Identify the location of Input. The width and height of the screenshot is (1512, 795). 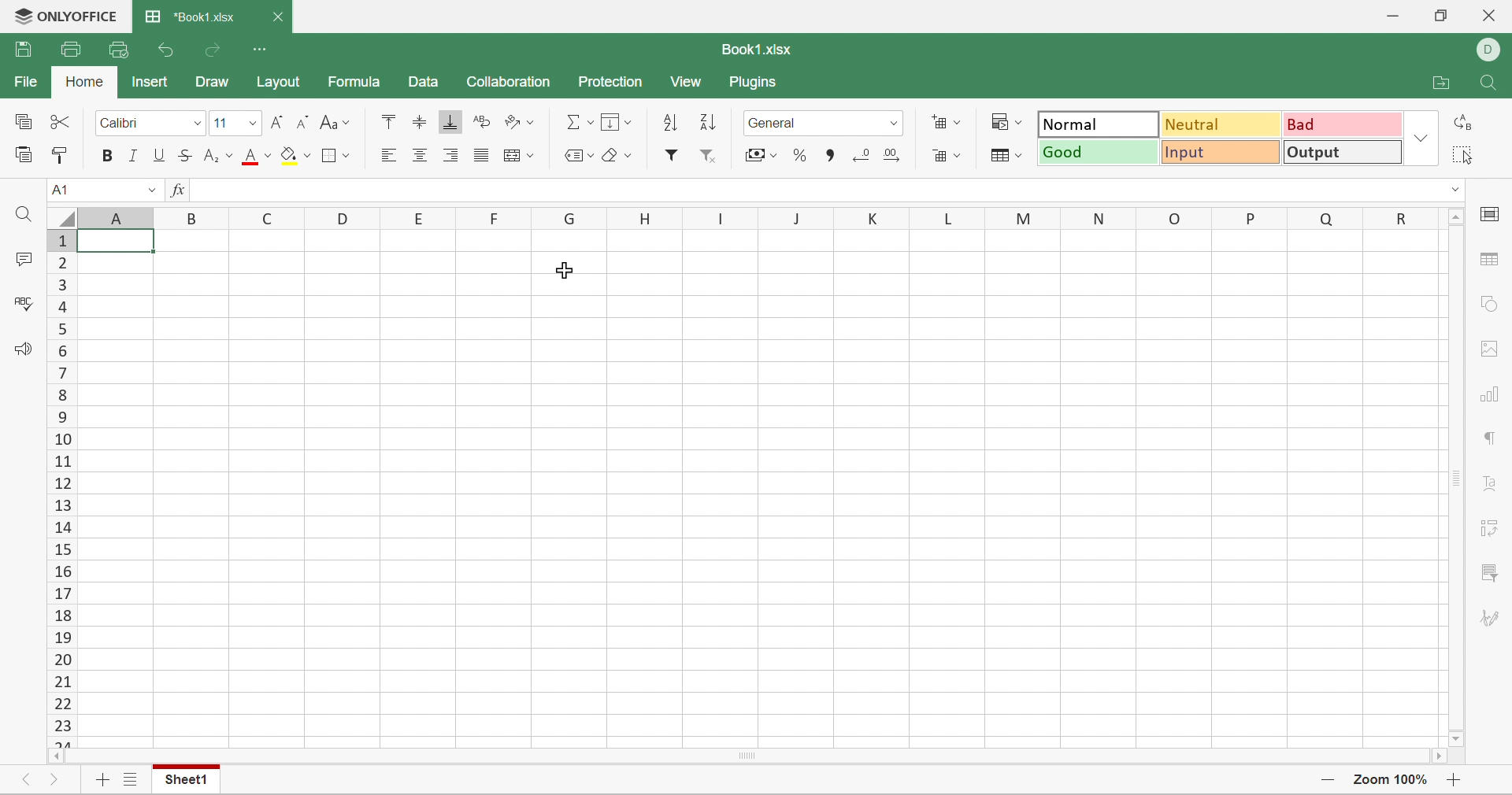
(1221, 151).